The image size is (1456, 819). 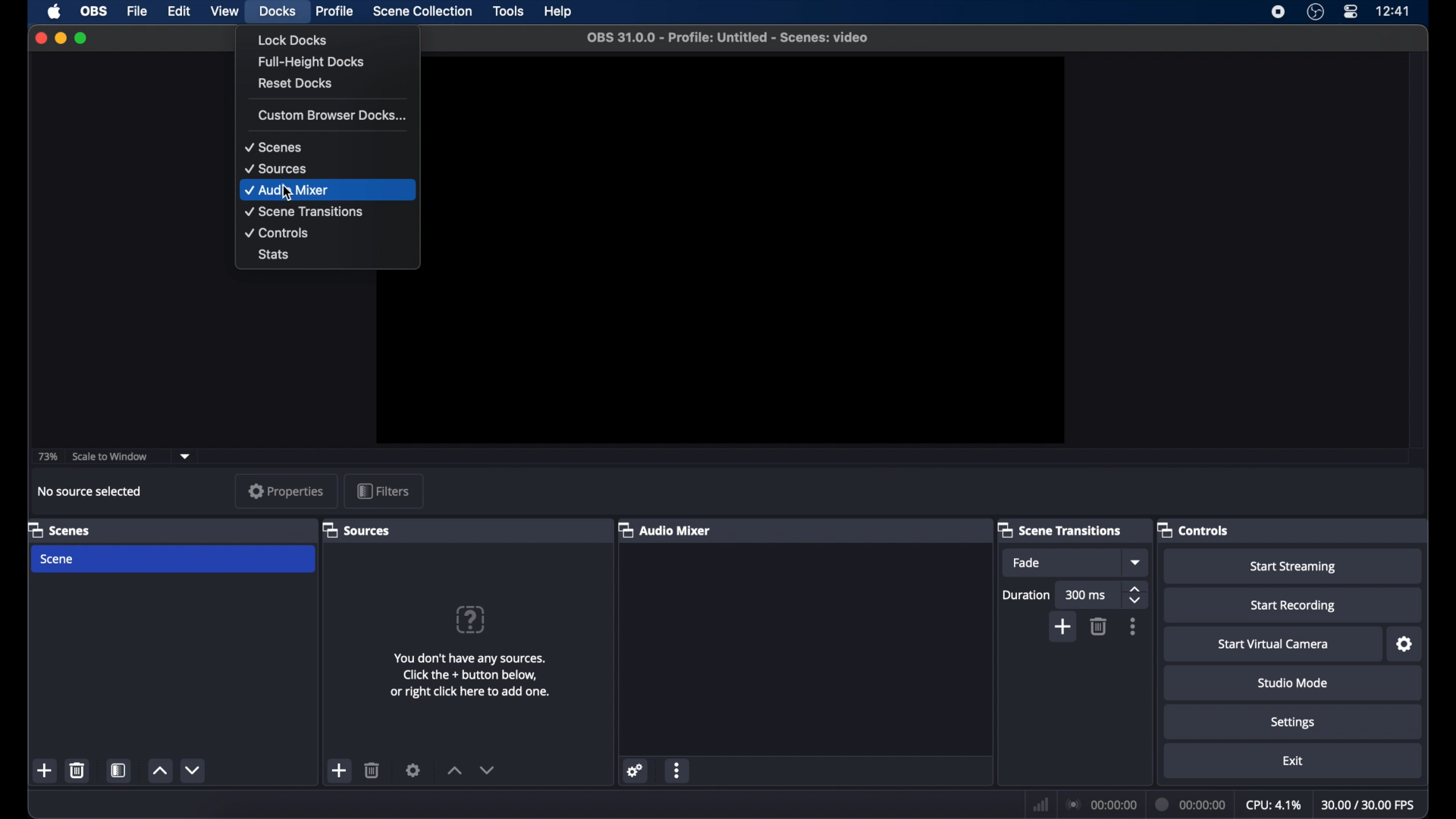 What do you see at coordinates (95, 10) in the screenshot?
I see `obs` at bounding box center [95, 10].